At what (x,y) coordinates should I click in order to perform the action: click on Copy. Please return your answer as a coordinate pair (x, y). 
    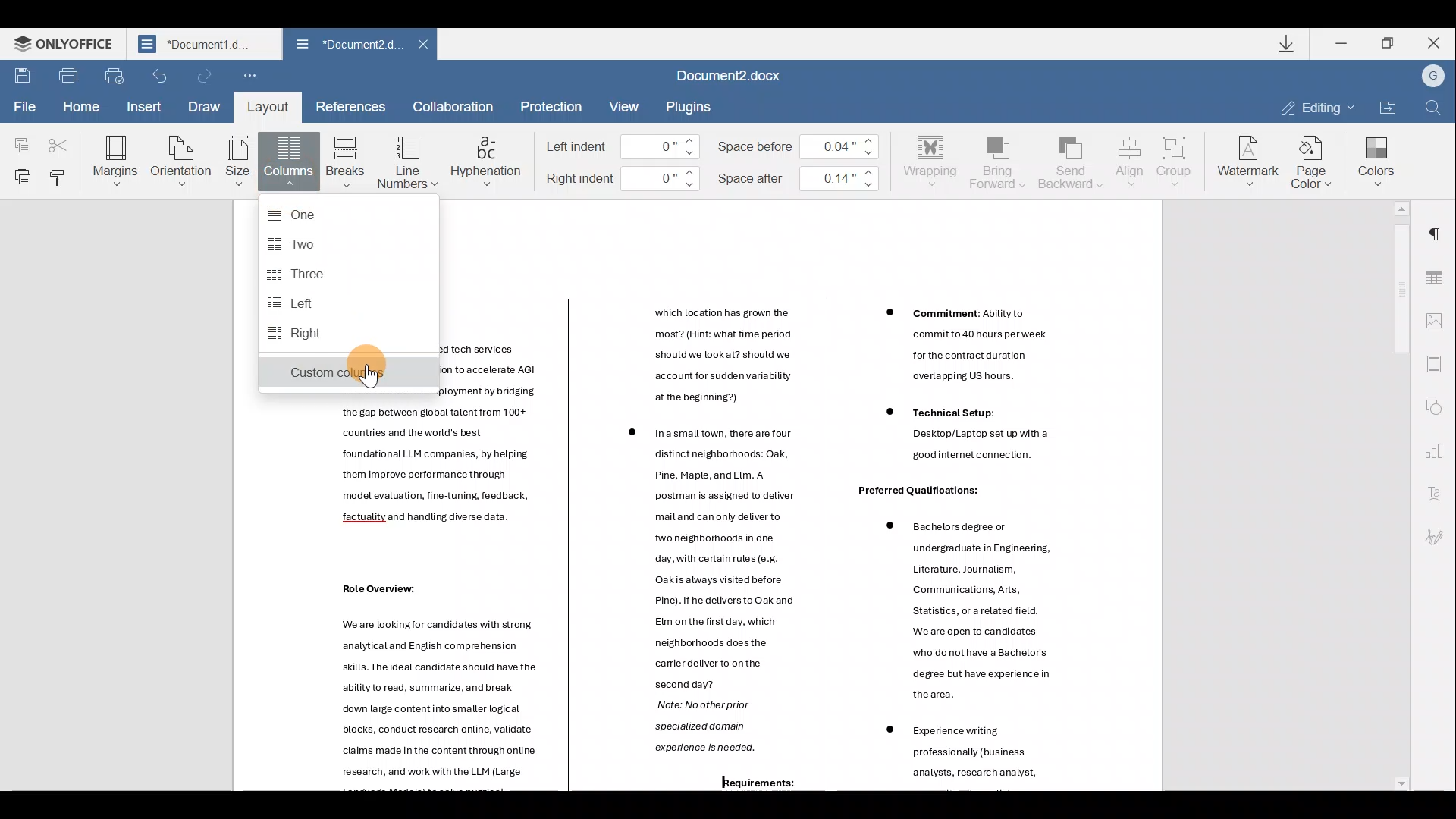
    Looking at the image, I should click on (19, 138).